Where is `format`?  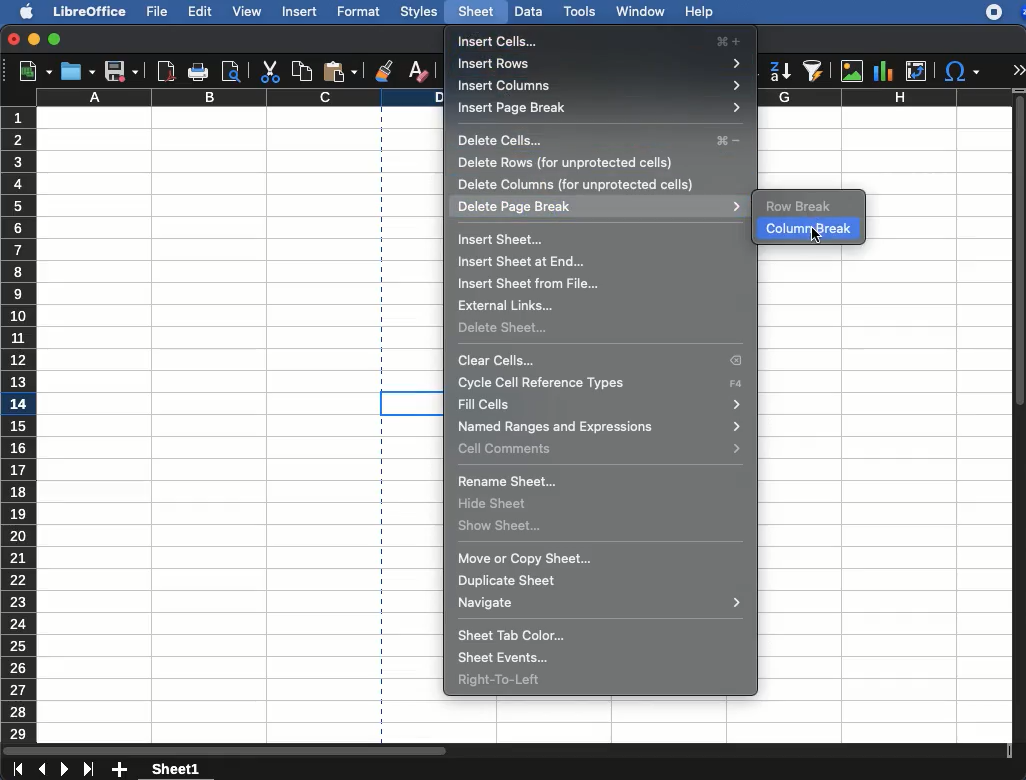
format is located at coordinates (358, 10).